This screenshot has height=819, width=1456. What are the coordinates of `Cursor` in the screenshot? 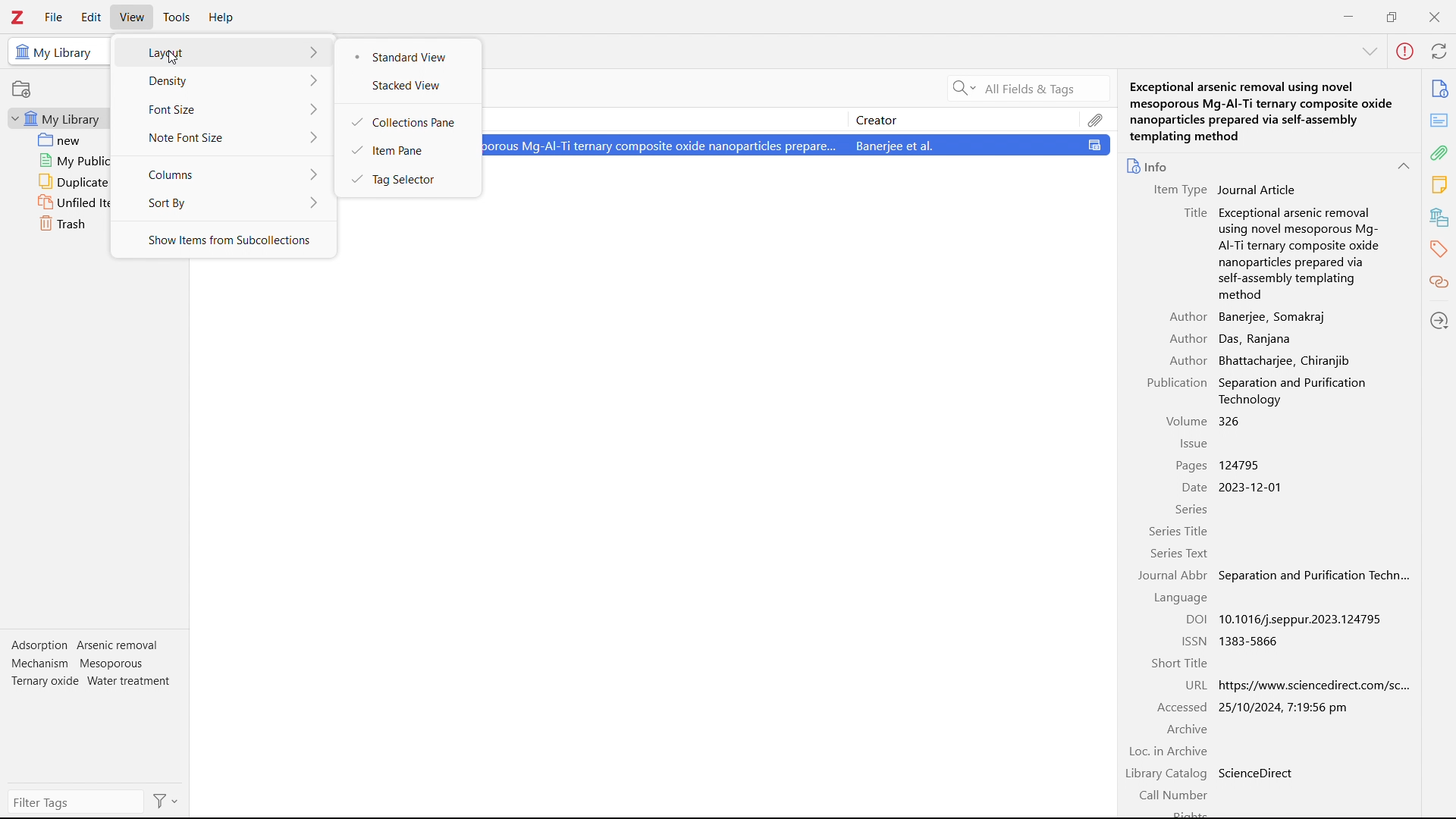 It's located at (174, 58).